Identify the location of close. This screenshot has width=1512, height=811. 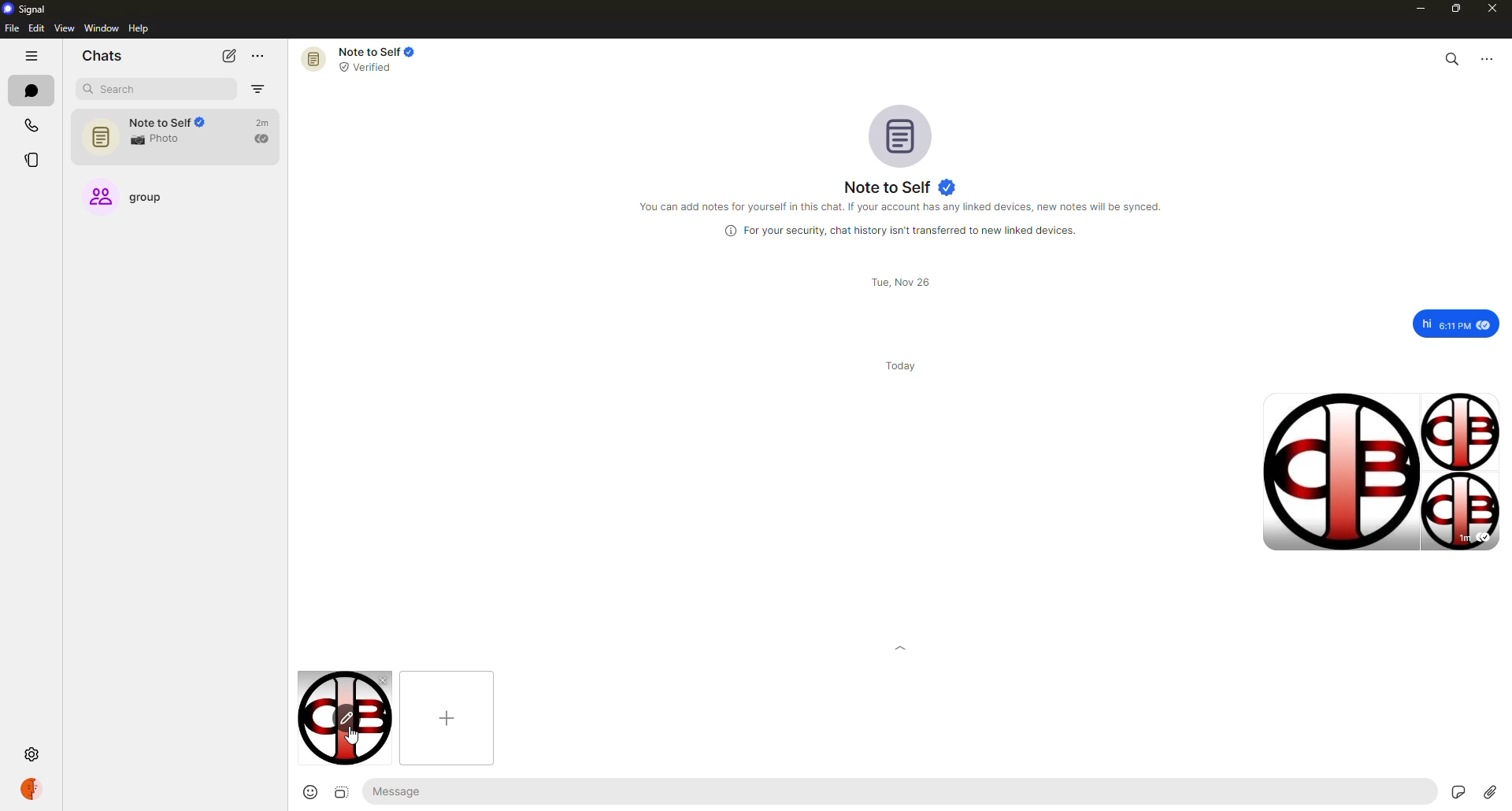
(1494, 9).